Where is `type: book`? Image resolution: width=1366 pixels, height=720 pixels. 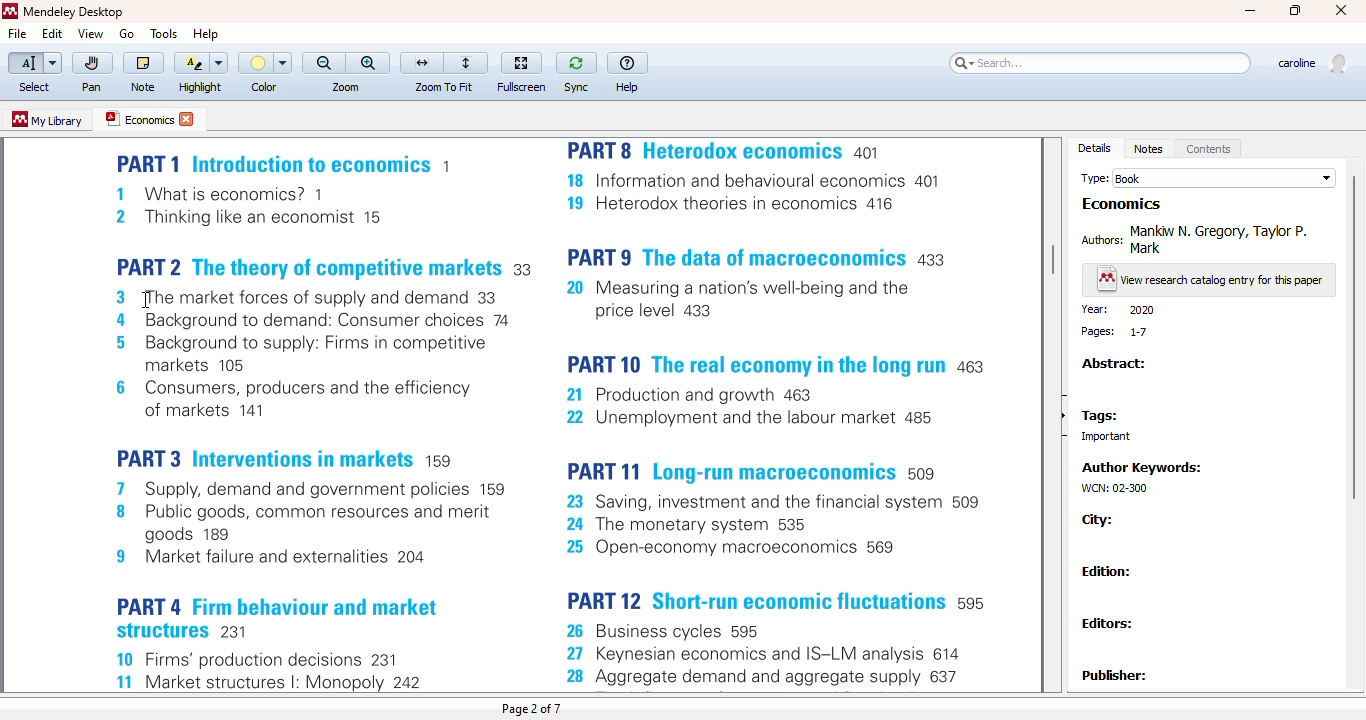 type: book is located at coordinates (1208, 178).